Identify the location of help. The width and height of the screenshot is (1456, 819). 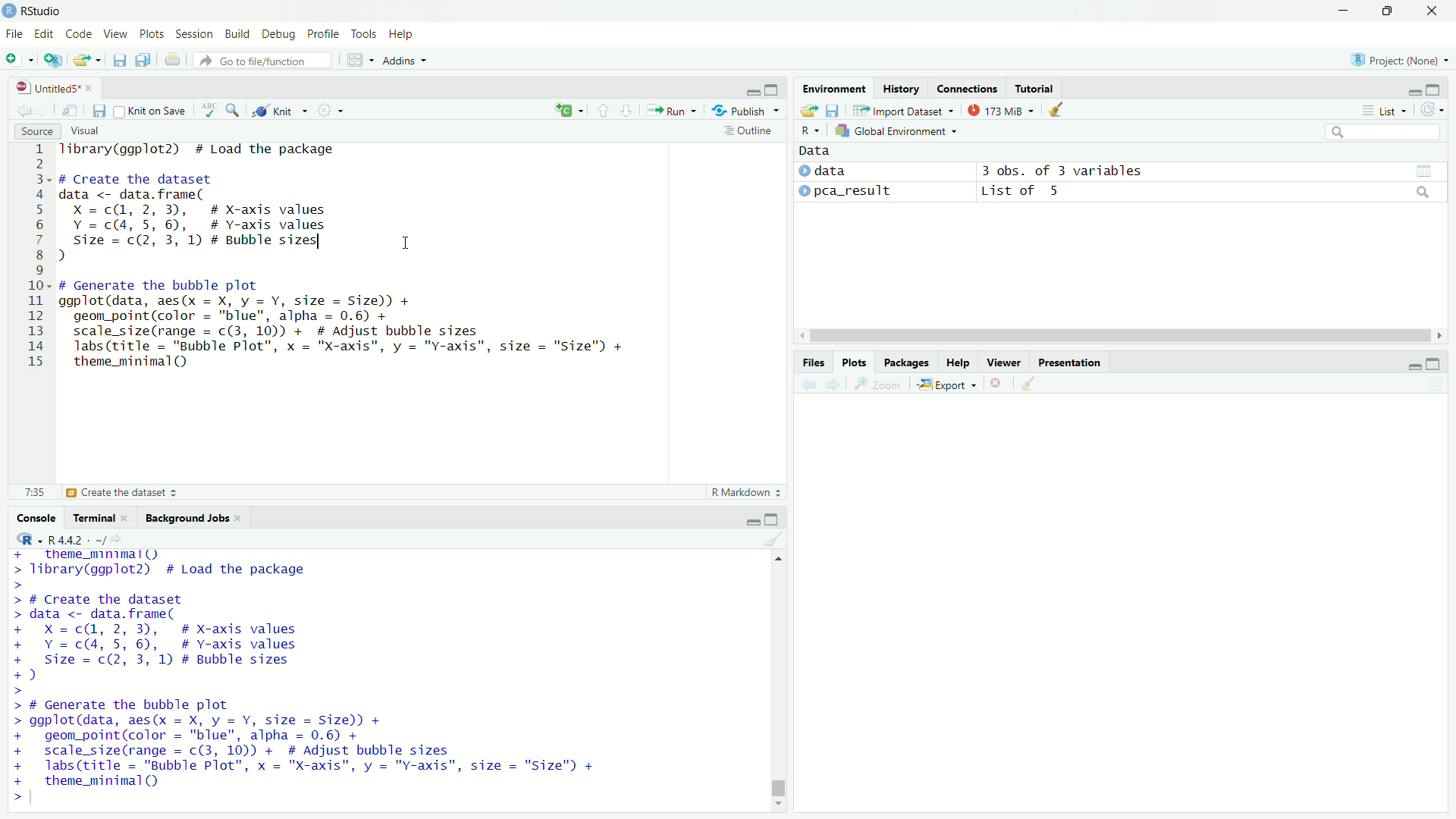
(402, 36).